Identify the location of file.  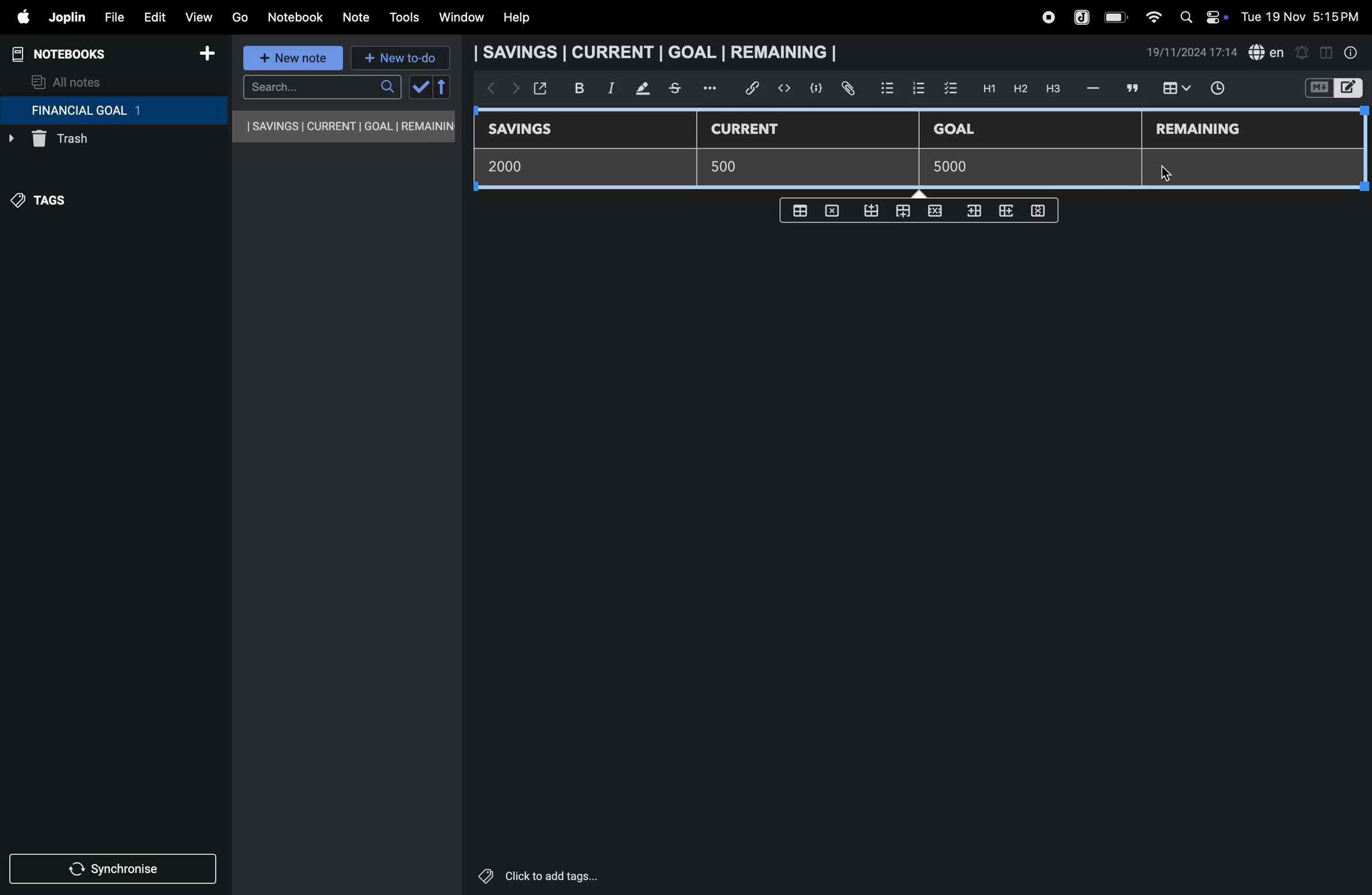
(110, 16).